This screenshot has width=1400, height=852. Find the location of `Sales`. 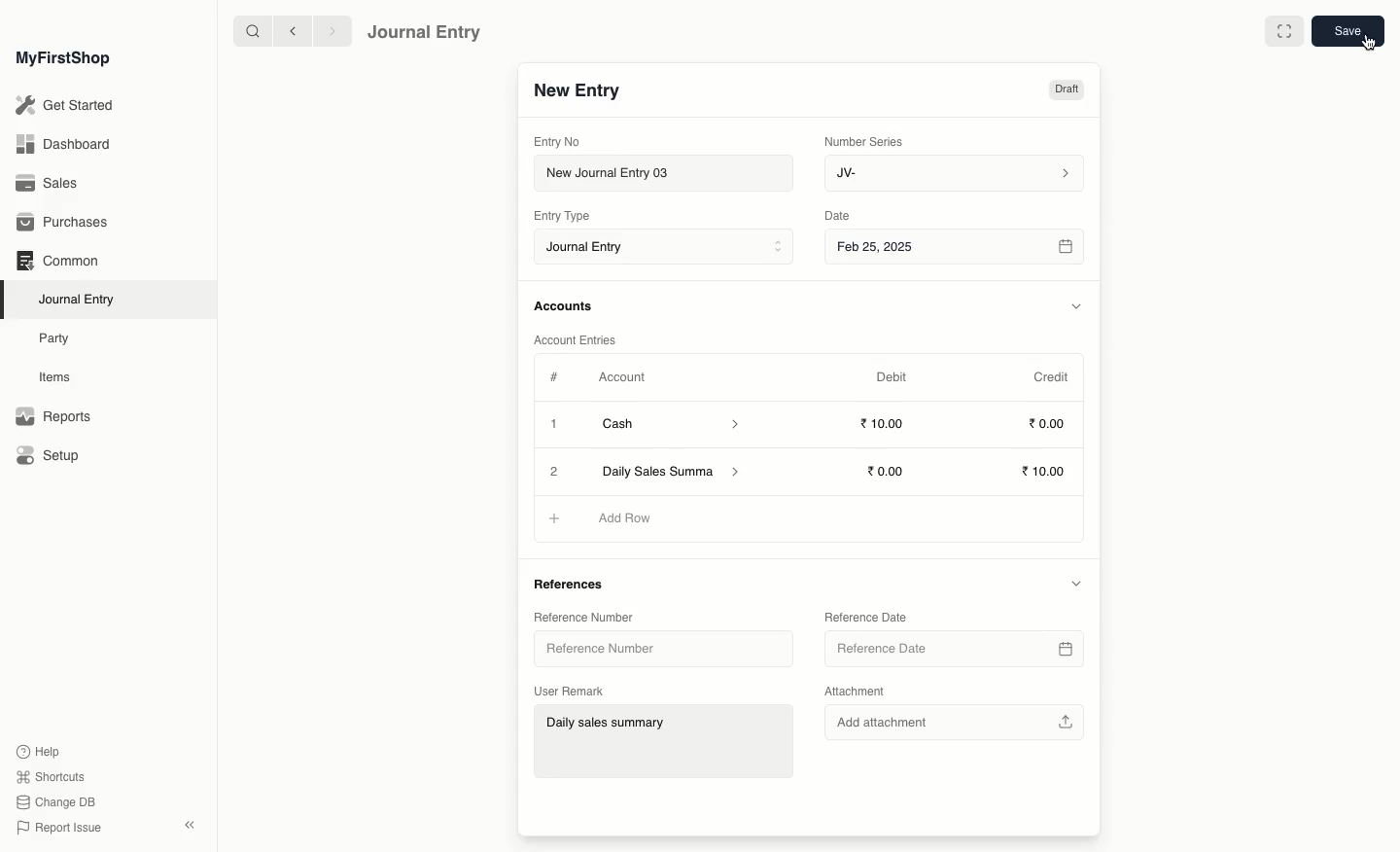

Sales is located at coordinates (48, 185).